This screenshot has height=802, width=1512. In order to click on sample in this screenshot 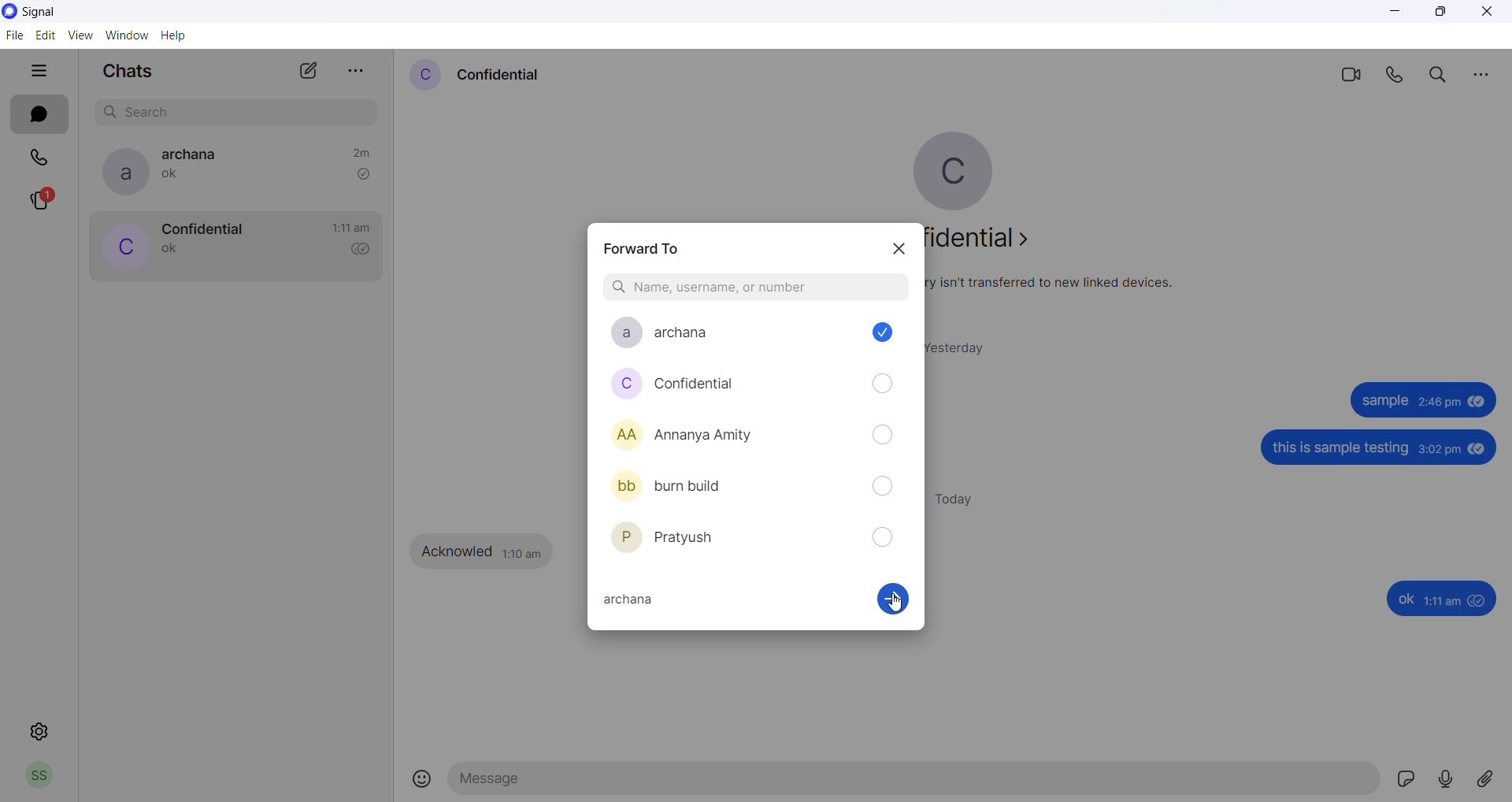, I will do `click(1383, 402)`.